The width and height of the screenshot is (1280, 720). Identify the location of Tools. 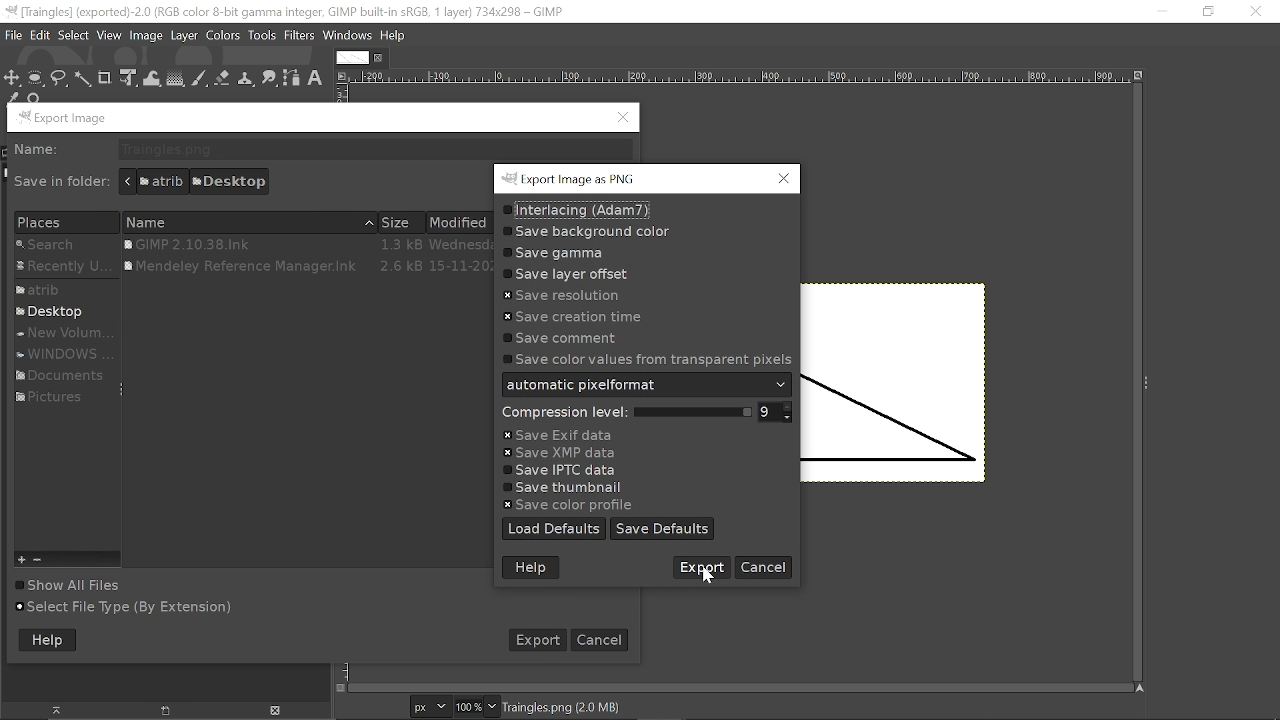
(263, 36).